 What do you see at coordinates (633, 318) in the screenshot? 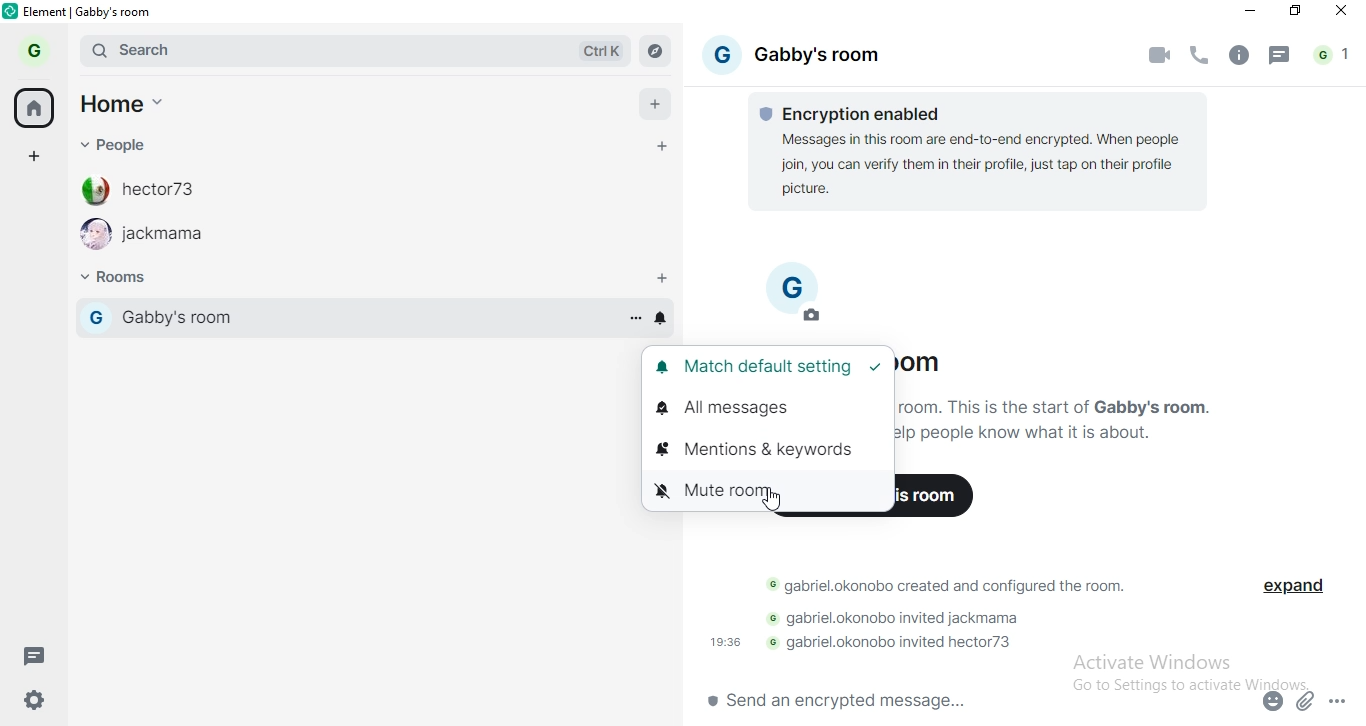
I see `more options` at bounding box center [633, 318].